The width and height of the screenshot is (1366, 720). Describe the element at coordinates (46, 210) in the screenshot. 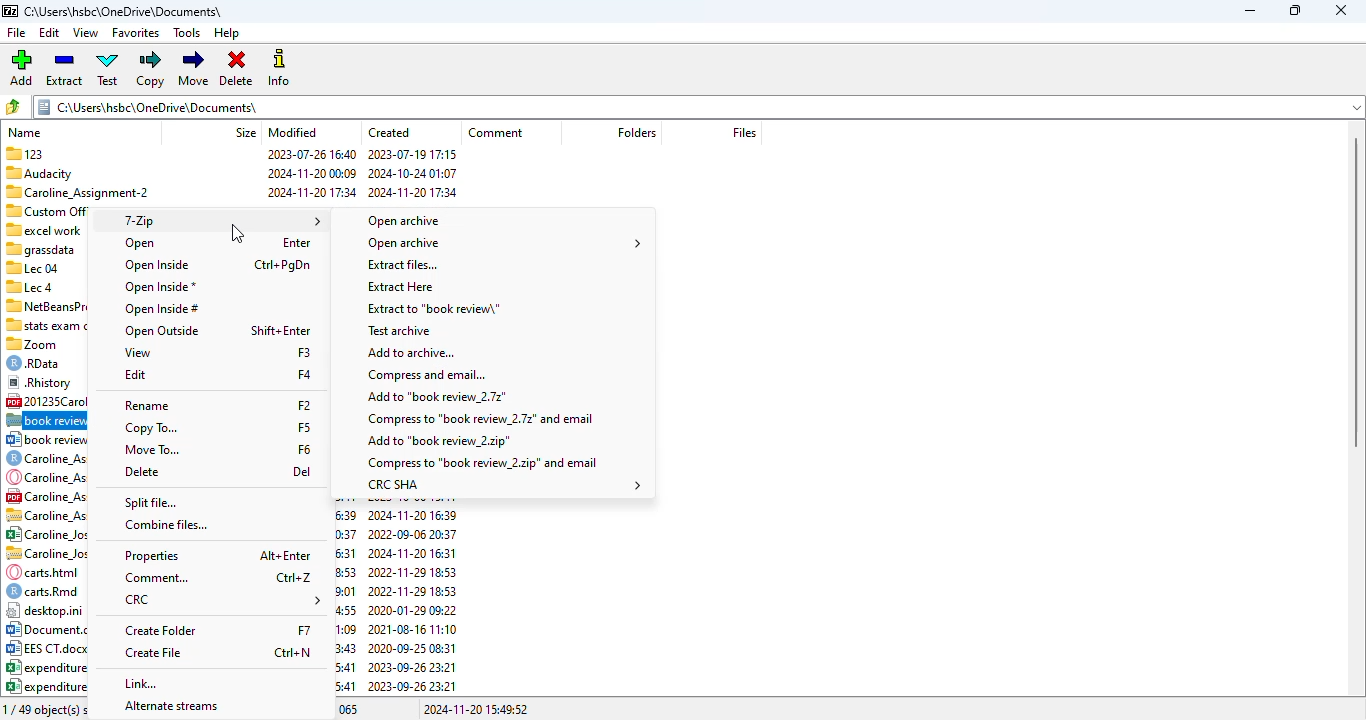

I see `Custom Office Templates` at that location.